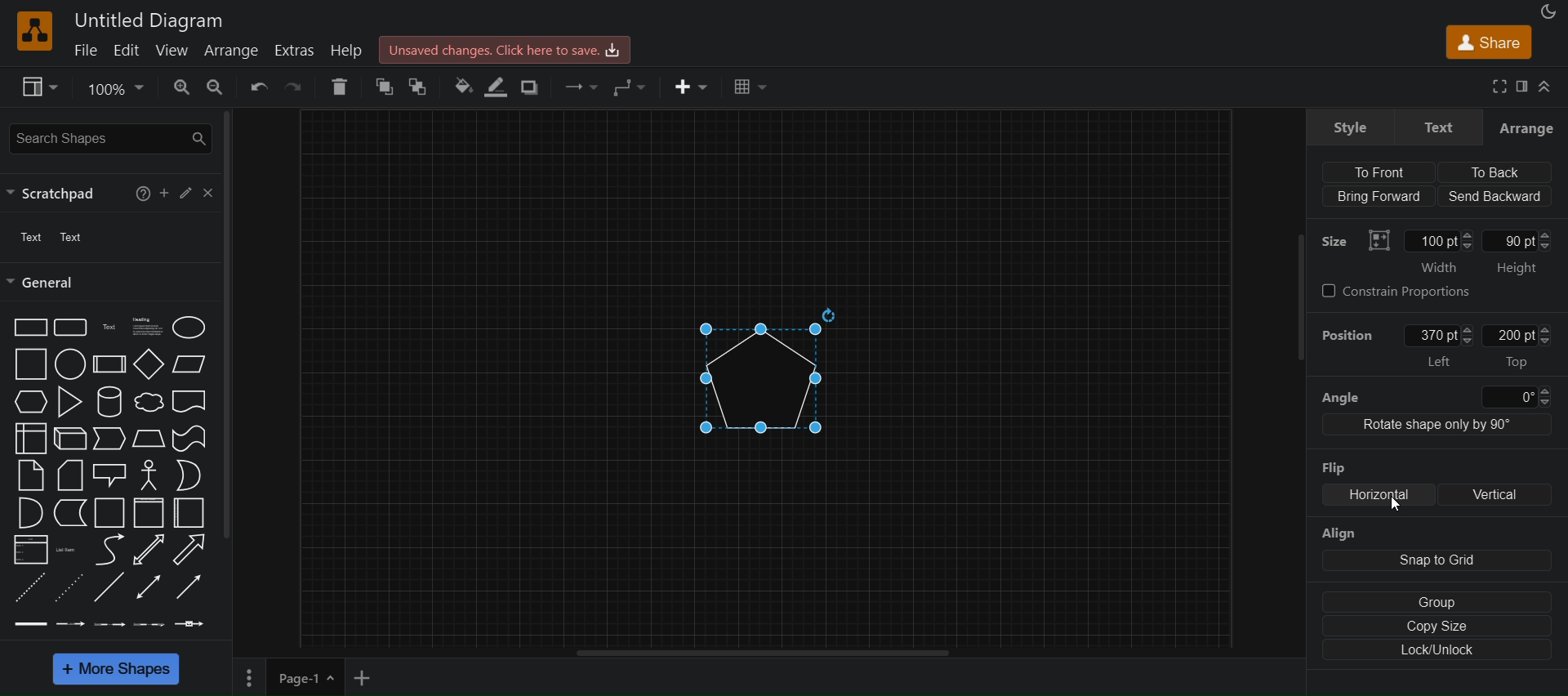  What do you see at coordinates (1522, 86) in the screenshot?
I see `format` at bounding box center [1522, 86].